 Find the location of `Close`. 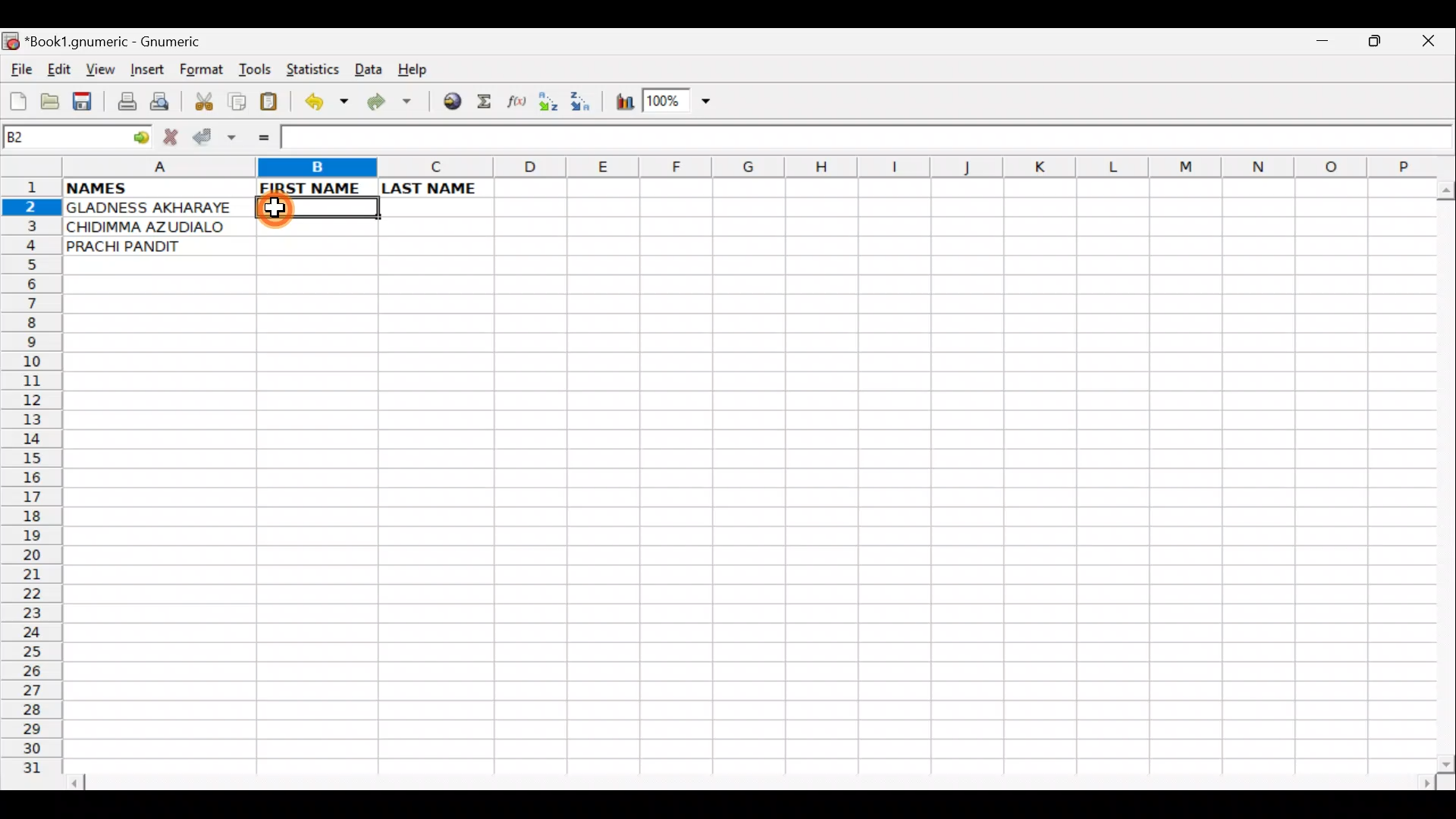

Close is located at coordinates (1432, 45).